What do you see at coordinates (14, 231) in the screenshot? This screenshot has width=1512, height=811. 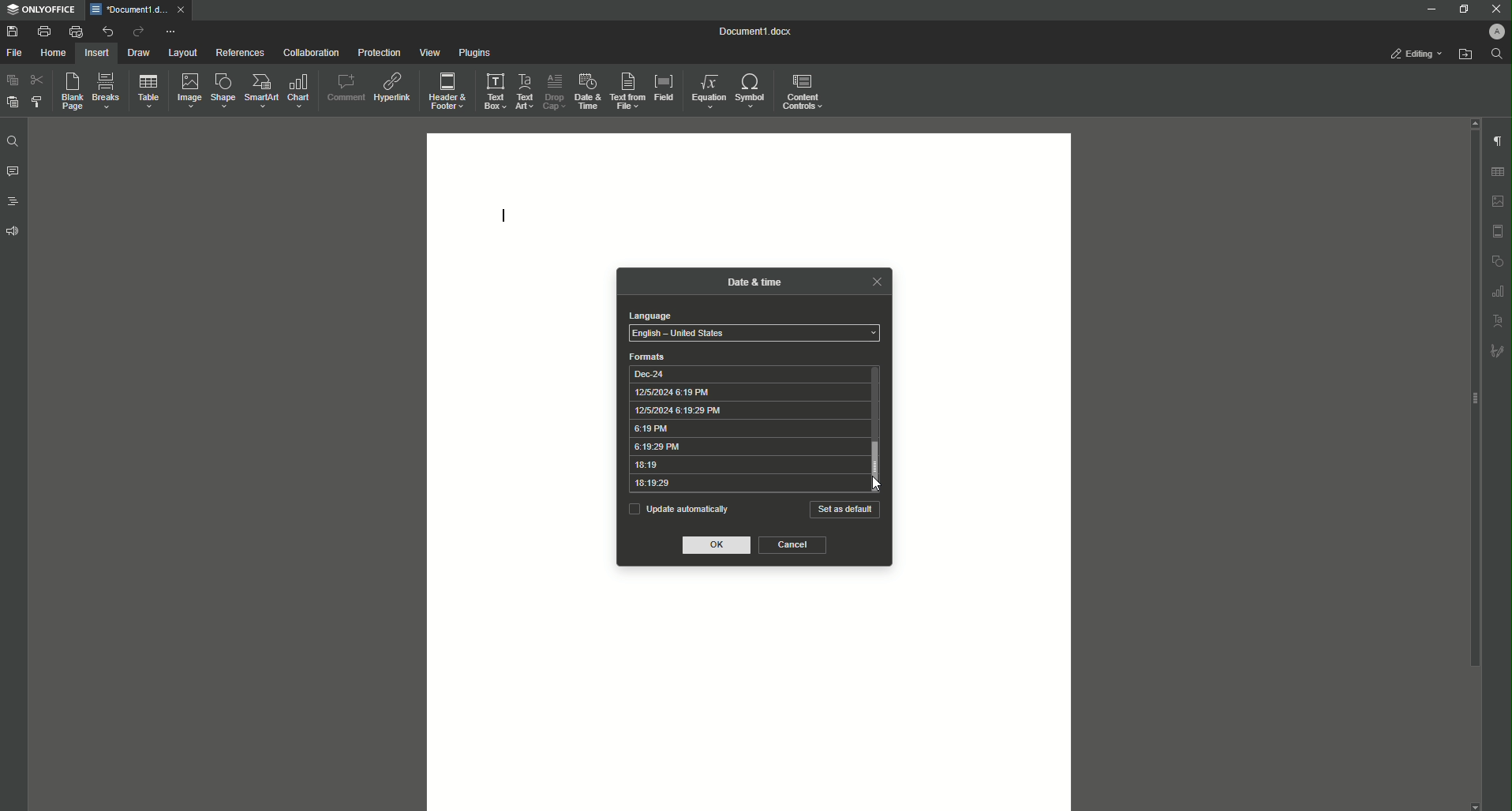 I see `Feedback` at bounding box center [14, 231].